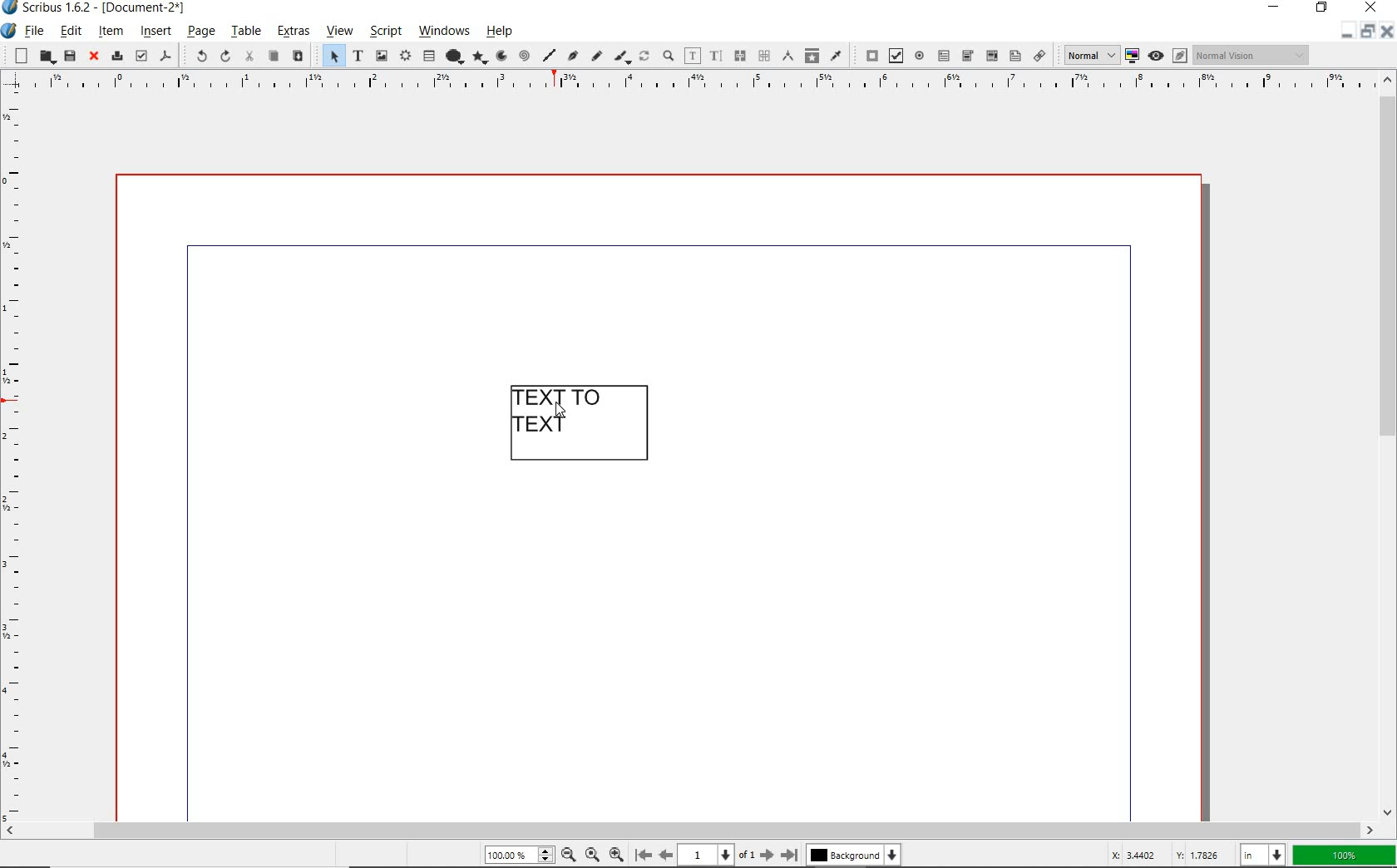 The height and width of the screenshot is (868, 1397). I want to click on pdf radio button, so click(919, 56).